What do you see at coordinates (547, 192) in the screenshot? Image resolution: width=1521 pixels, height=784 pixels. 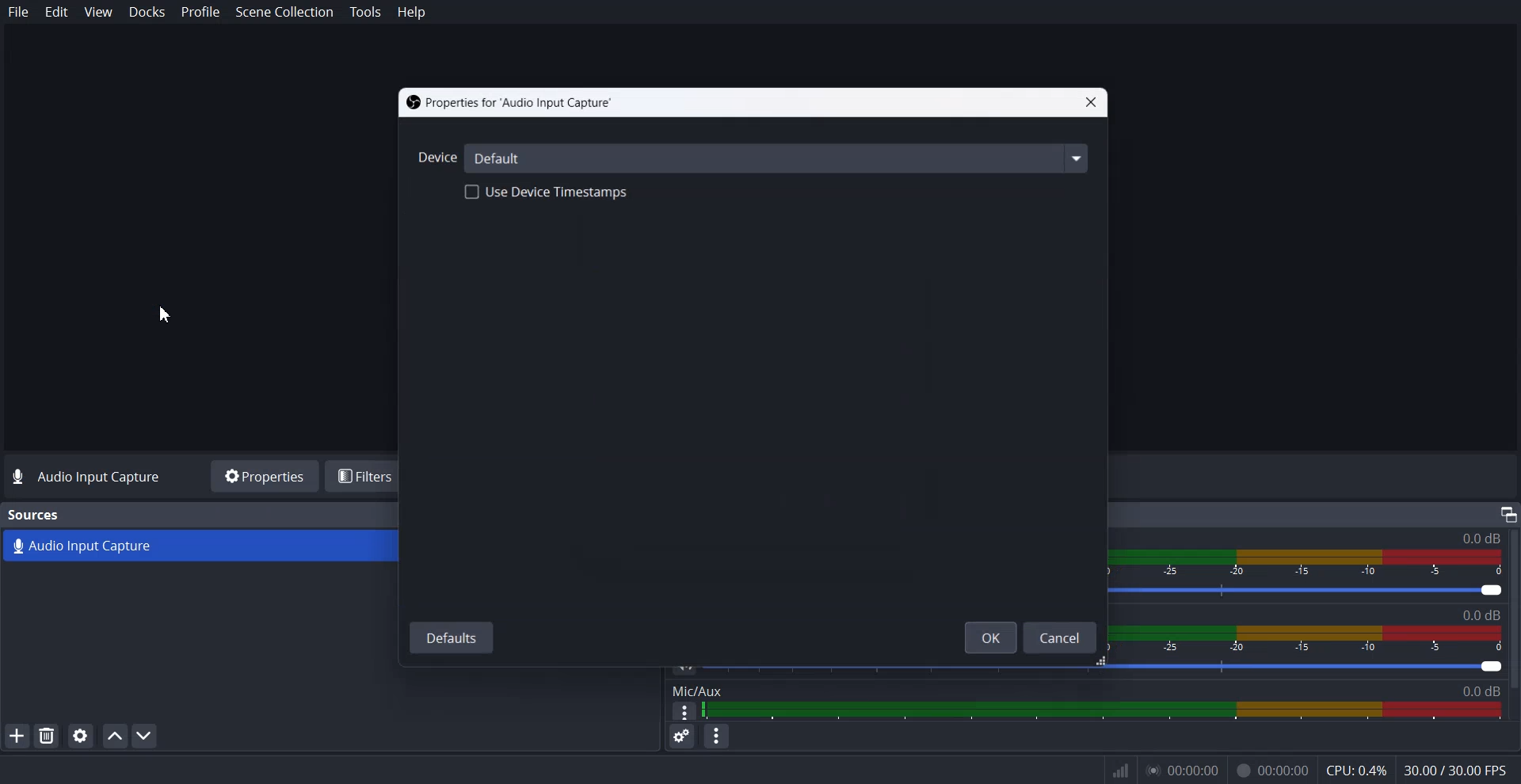 I see `Use Device Timestamps` at bounding box center [547, 192].